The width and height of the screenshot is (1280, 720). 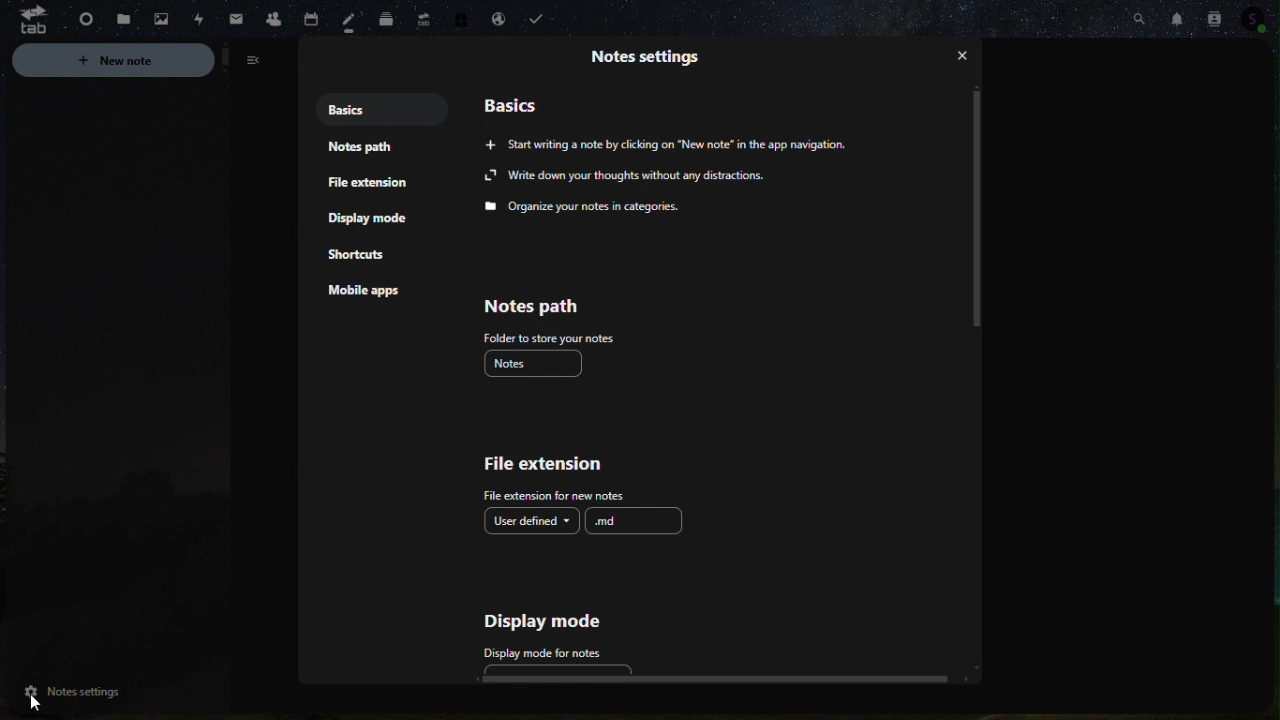 I want to click on deck, so click(x=386, y=17).